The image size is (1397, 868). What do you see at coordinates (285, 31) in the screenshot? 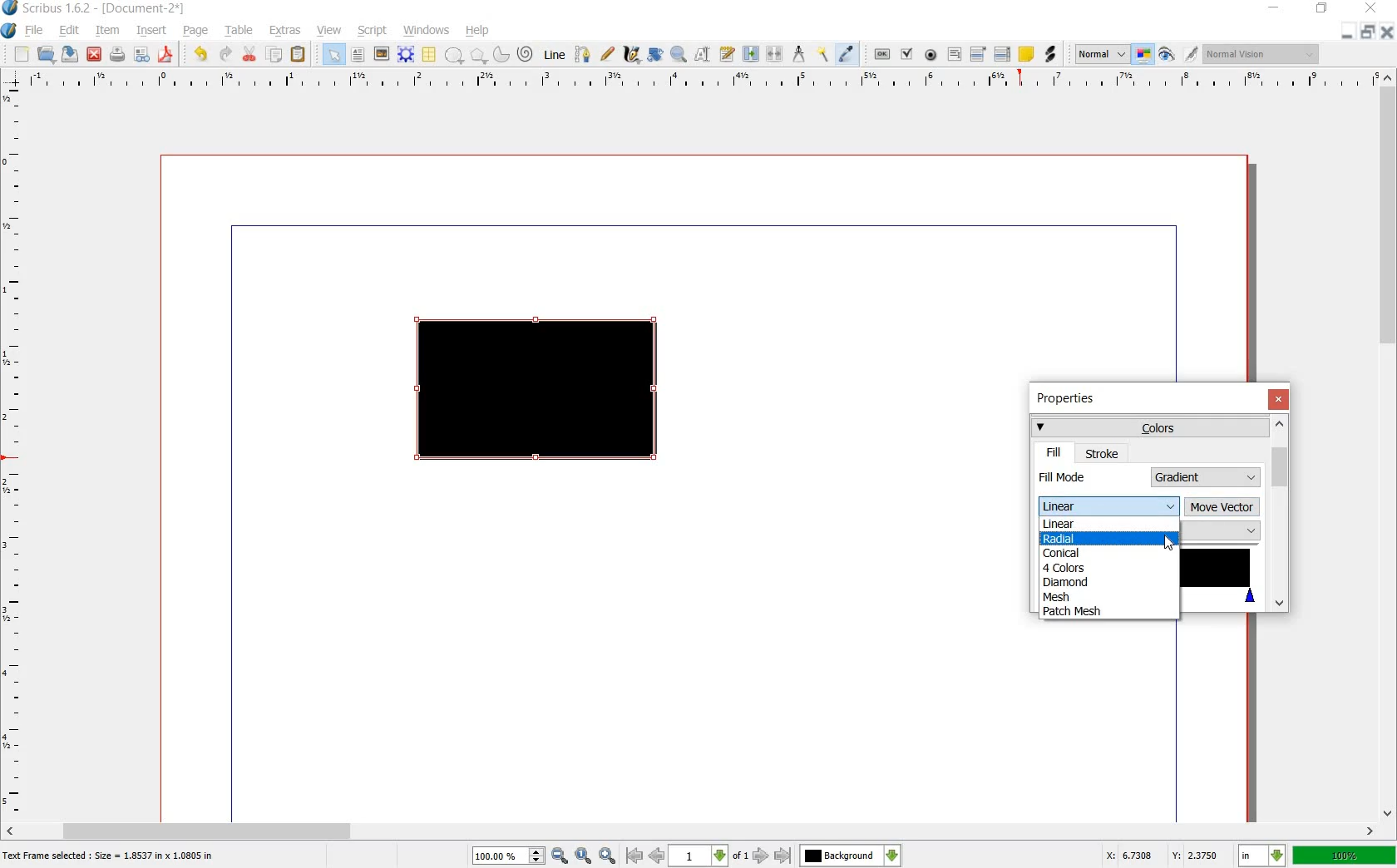
I see `extras` at bounding box center [285, 31].